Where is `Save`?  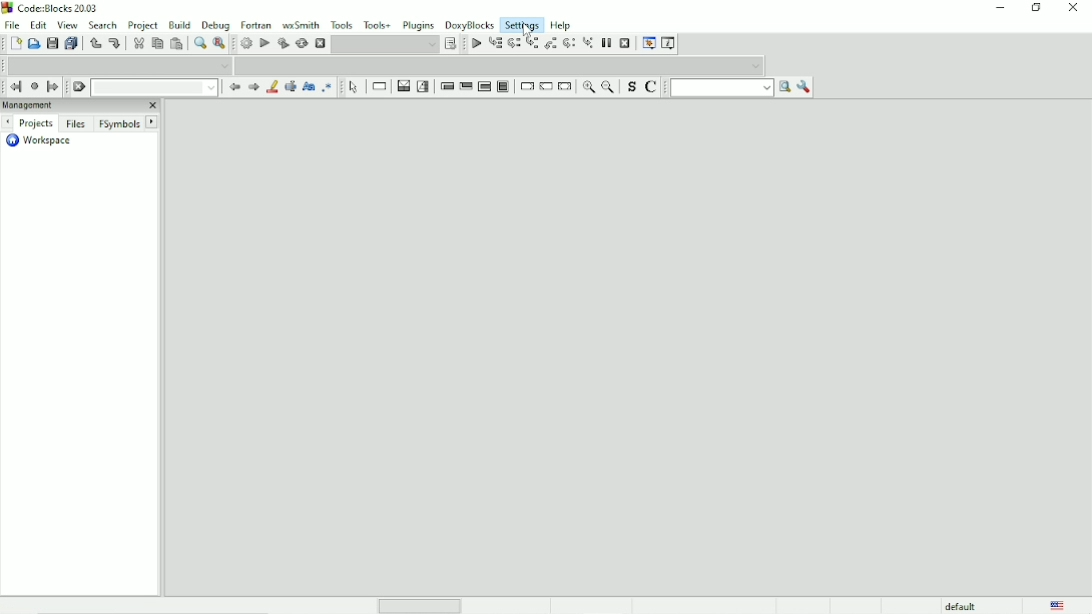
Save is located at coordinates (51, 43).